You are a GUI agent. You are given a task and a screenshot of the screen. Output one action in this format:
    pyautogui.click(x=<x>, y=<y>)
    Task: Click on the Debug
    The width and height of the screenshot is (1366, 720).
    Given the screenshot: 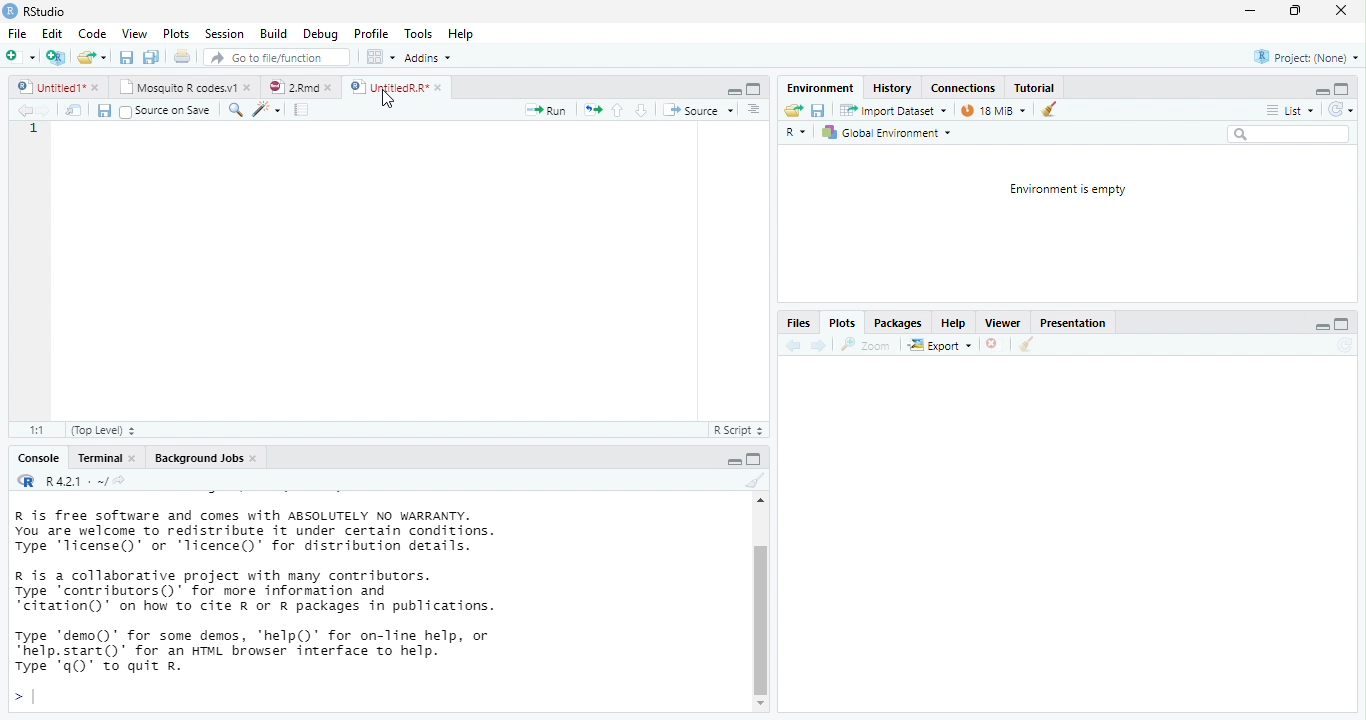 What is the action you would take?
    pyautogui.click(x=320, y=34)
    